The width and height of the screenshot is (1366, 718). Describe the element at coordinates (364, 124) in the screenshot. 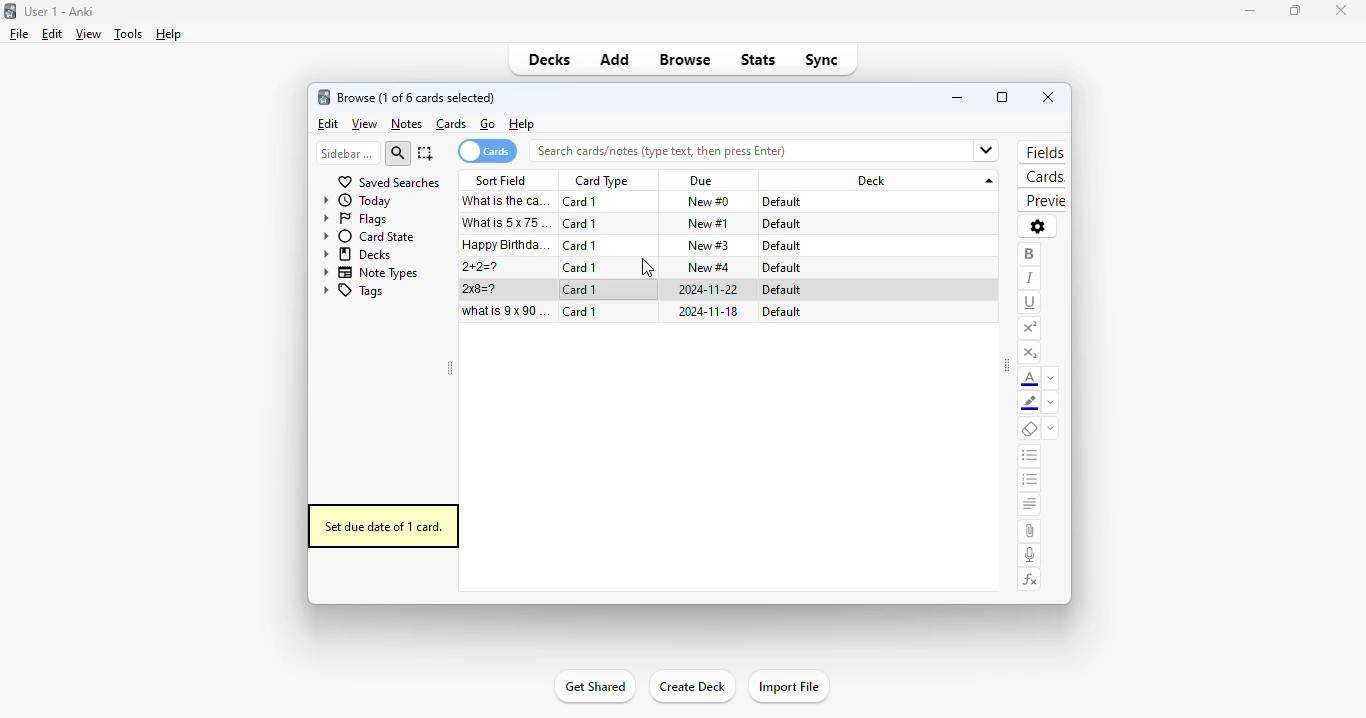

I see `view` at that location.